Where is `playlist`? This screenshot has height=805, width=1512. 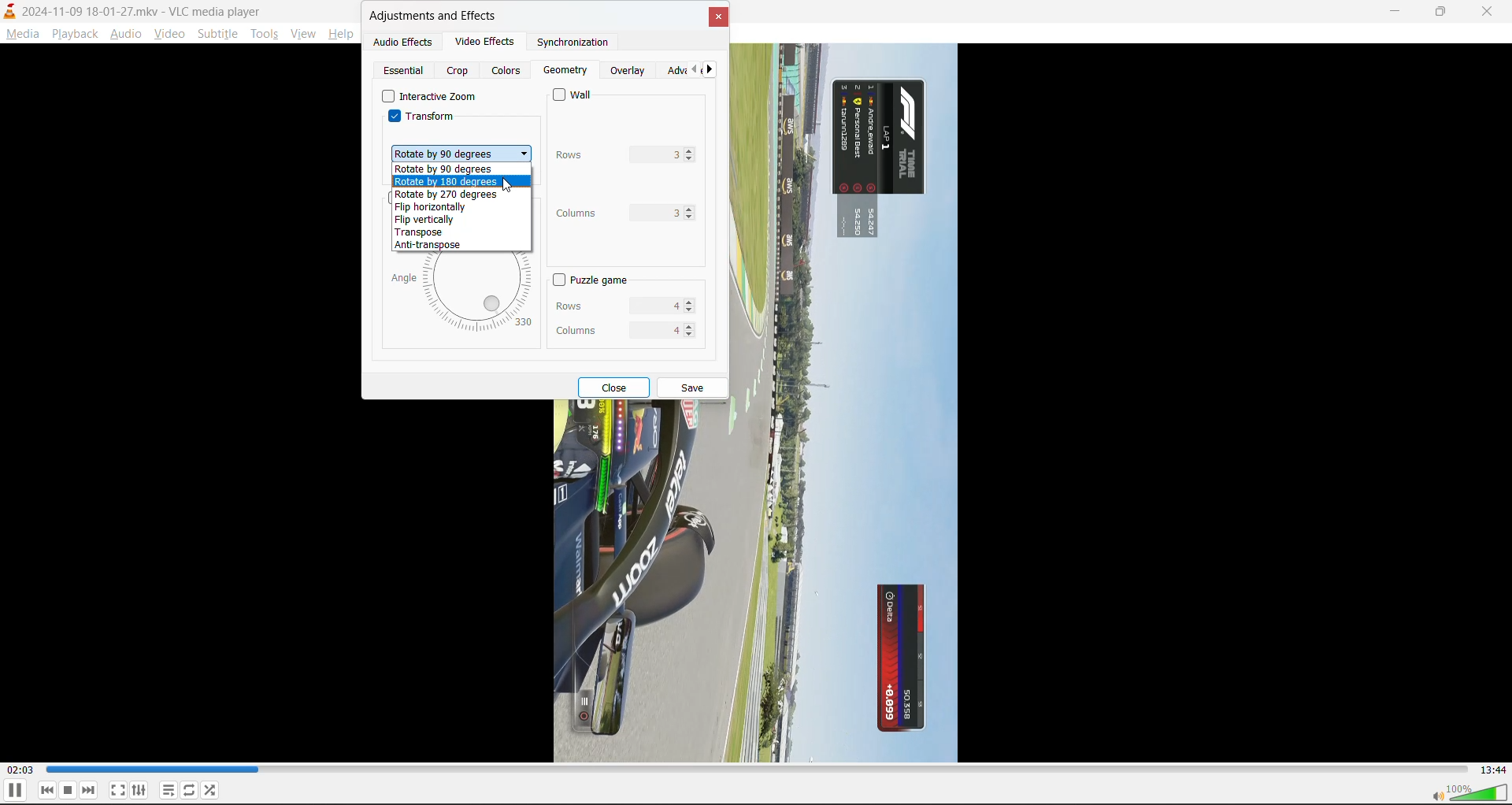
playlist is located at coordinates (169, 790).